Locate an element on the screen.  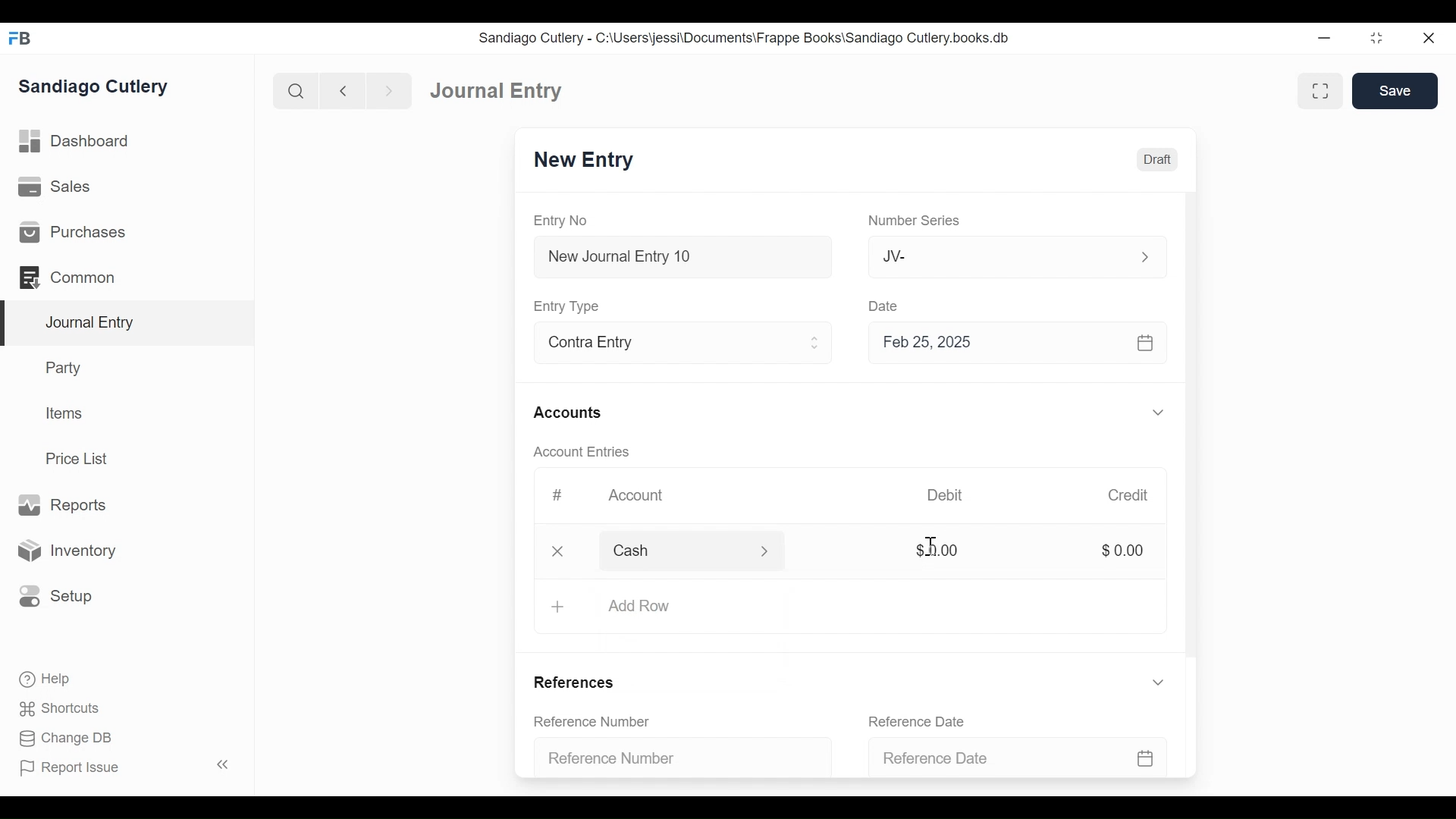
Save is located at coordinates (1395, 91).